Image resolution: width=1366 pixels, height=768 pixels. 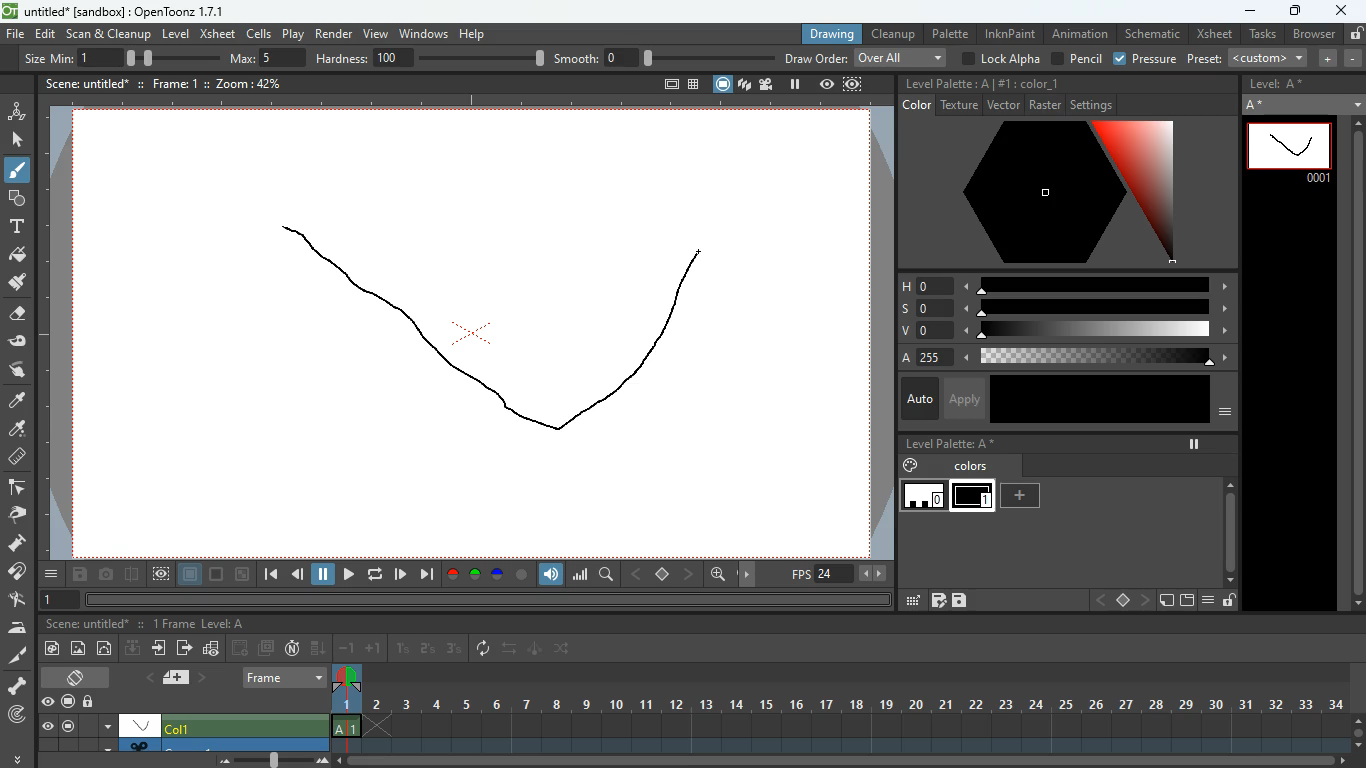 What do you see at coordinates (663, 573) in the screenshot?
I see `center` at bounding box center [663, 573].